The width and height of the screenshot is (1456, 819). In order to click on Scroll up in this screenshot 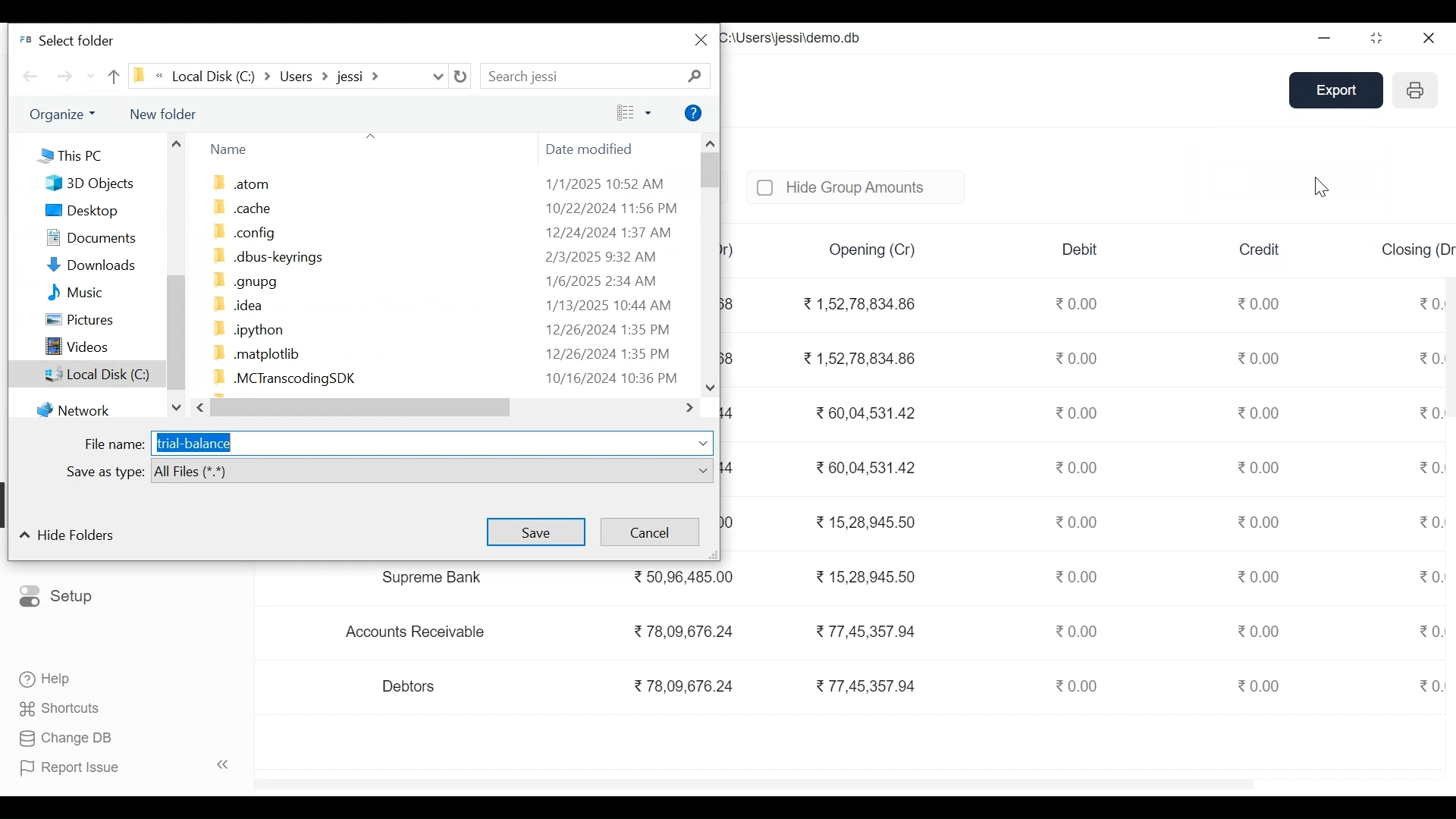, I will do `click(176, 143)`.